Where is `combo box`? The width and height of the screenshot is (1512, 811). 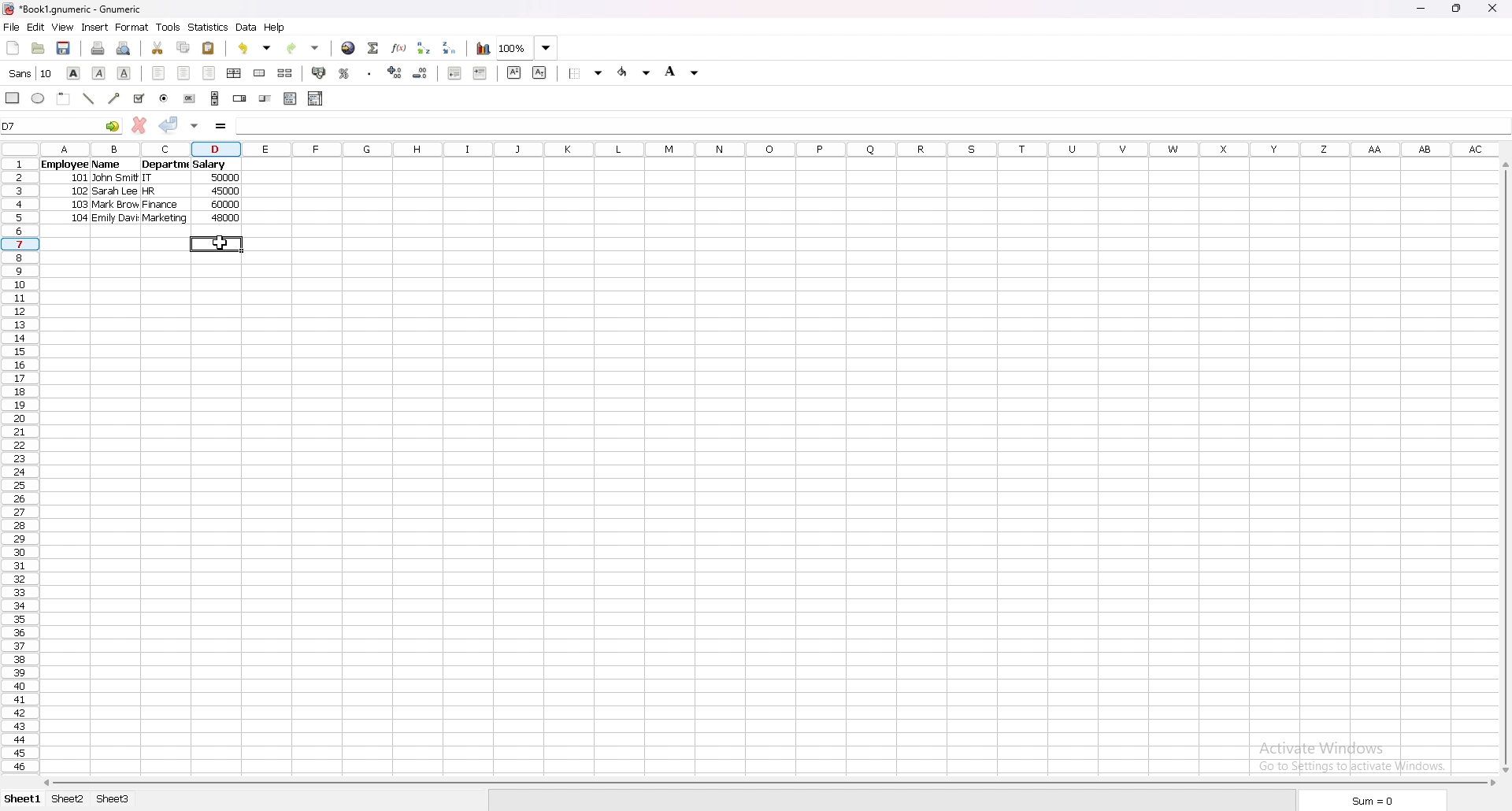
combo box is located at coordinates (316, 98).